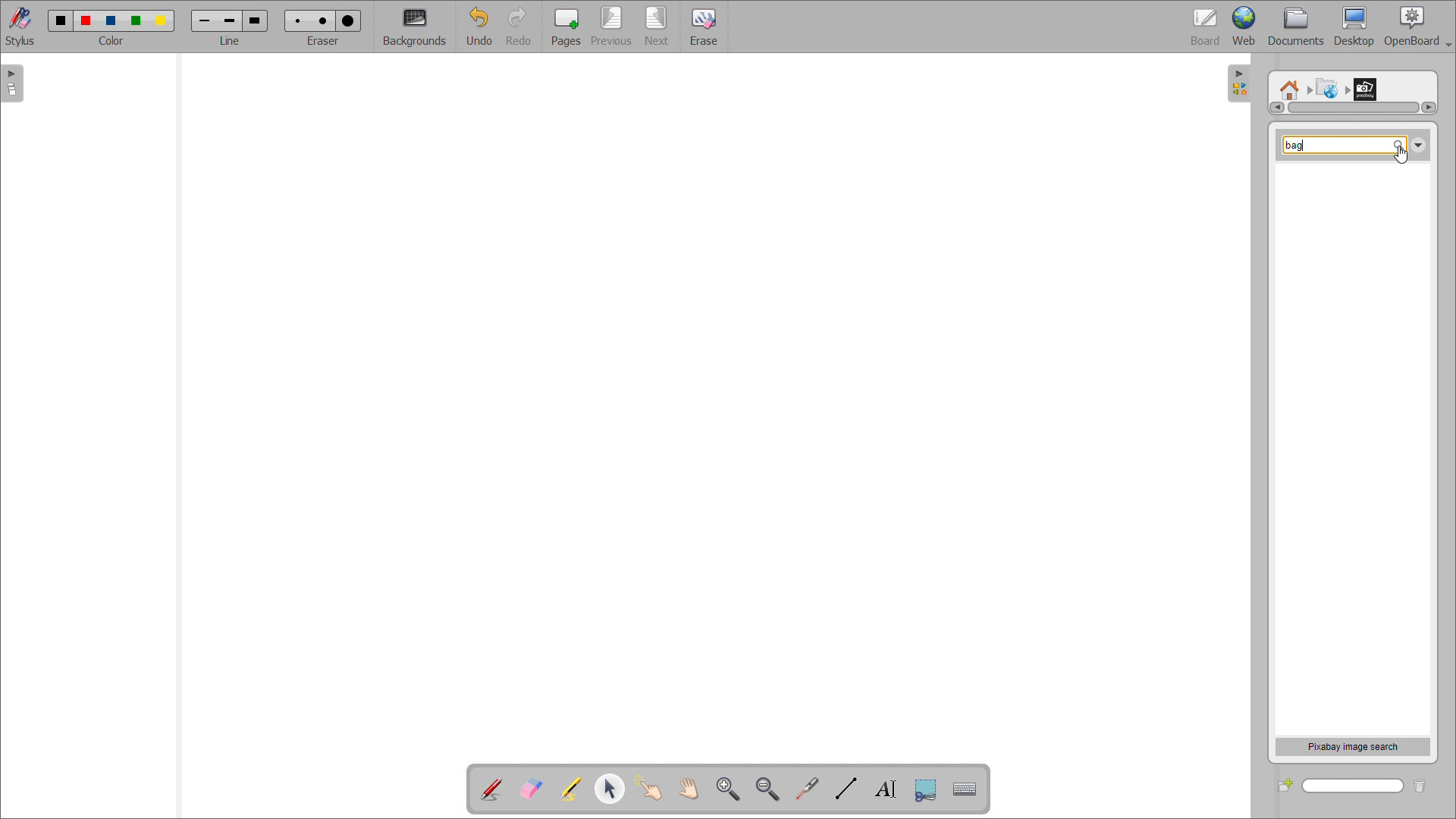 Image resolution: width=1456 pixels, height=819 pixels. I want to click on pixabay image search, so click(1353, 746).